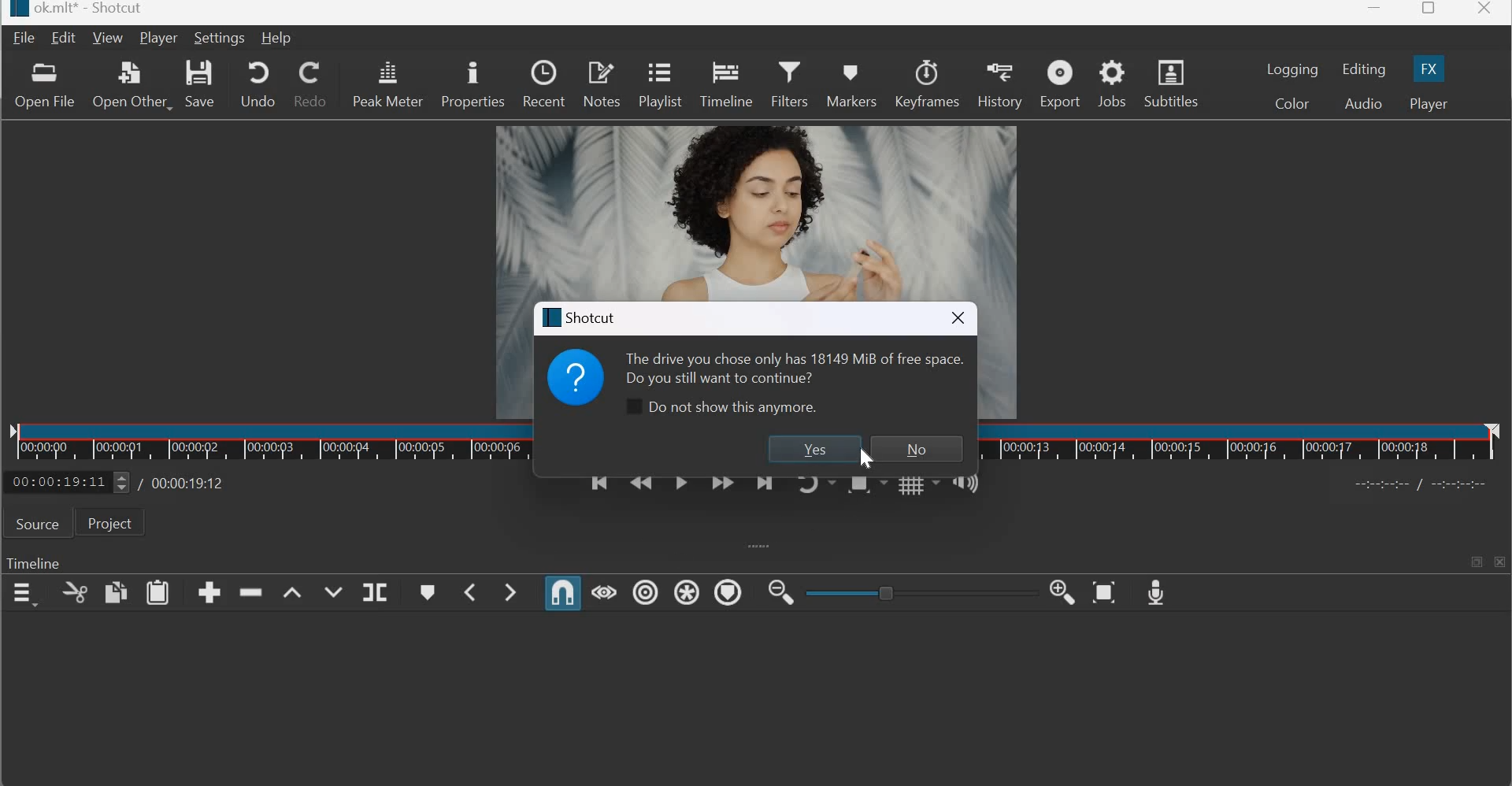 The width and height of the screenshot is (1512, 786). I want to click on copy, so click(115, 592).